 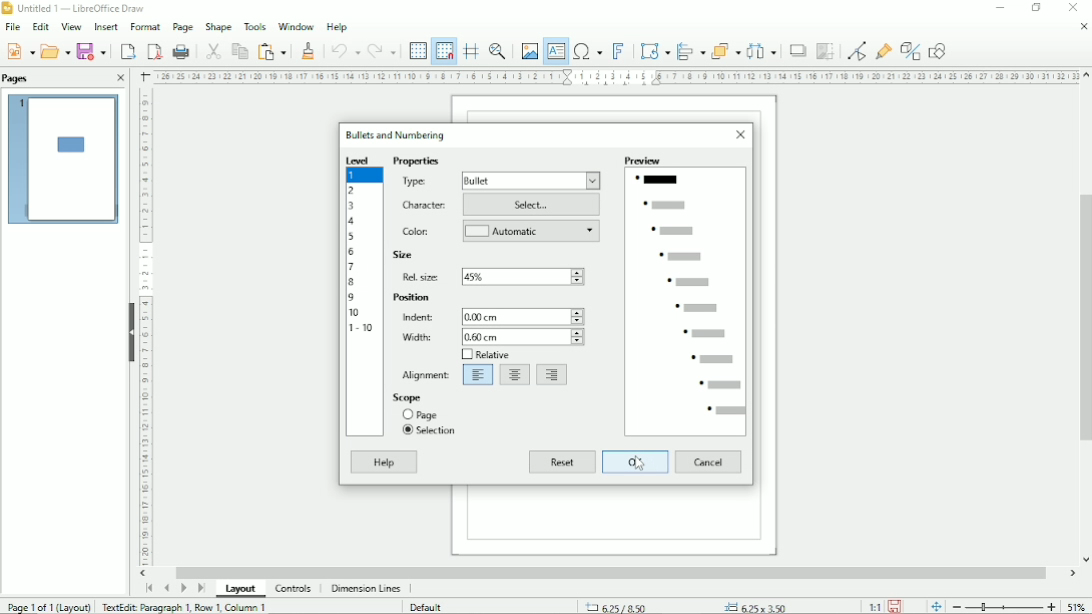 I want to click on 4, so click(x=354, y=221).